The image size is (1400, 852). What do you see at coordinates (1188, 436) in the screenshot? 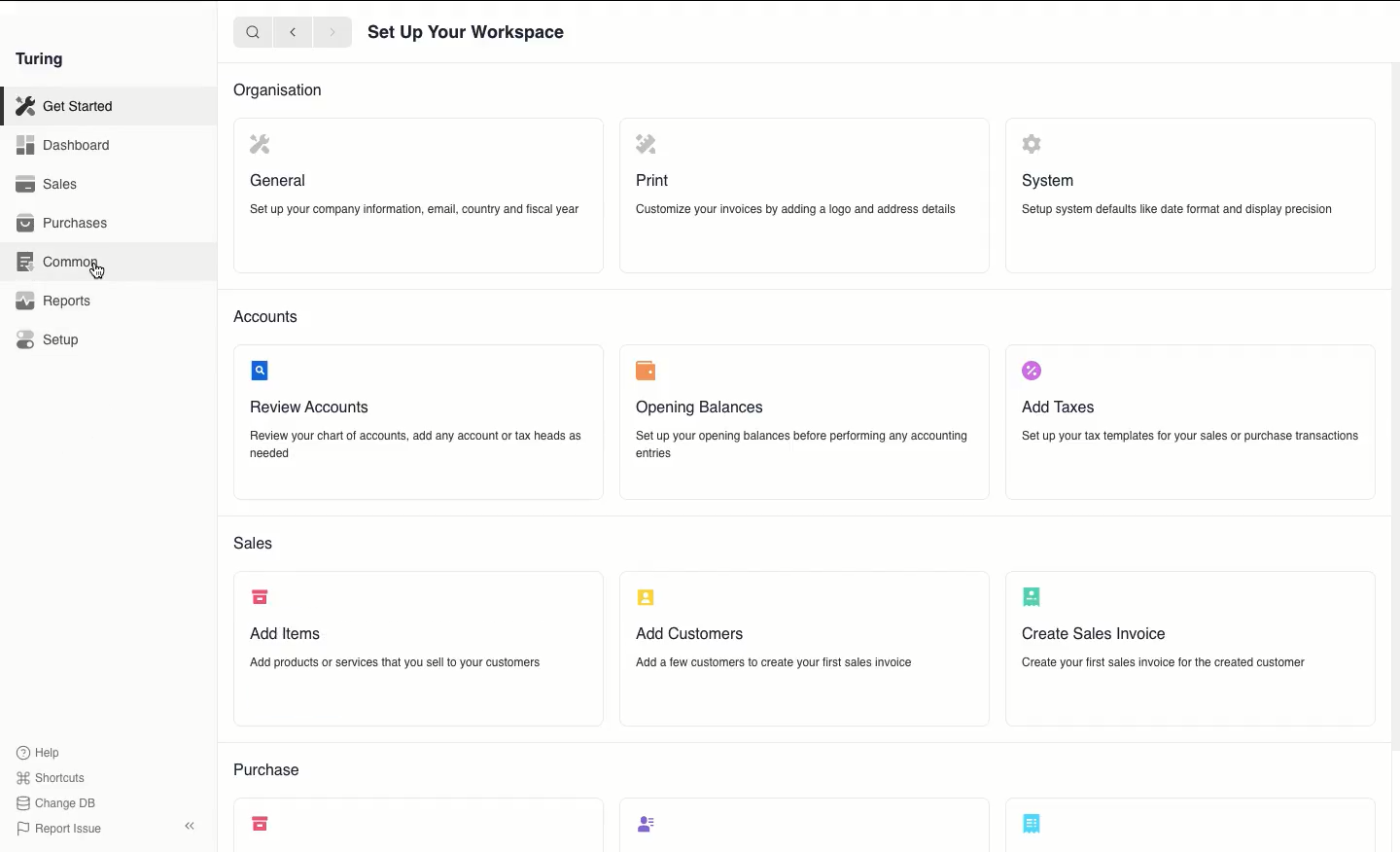
I see `Setup your tax templates for your sales or purchase transactions.` at bounding box center [1188, 436].